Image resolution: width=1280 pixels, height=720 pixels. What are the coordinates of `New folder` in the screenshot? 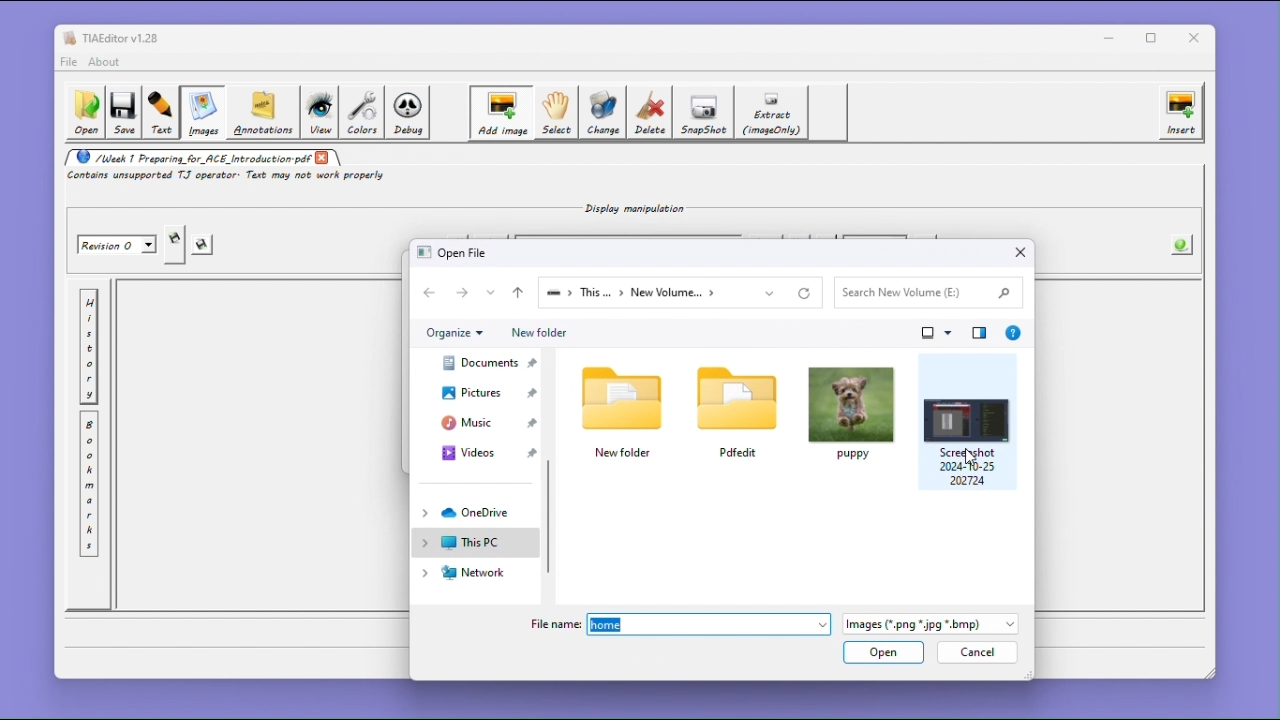 It's located at (537, 333).